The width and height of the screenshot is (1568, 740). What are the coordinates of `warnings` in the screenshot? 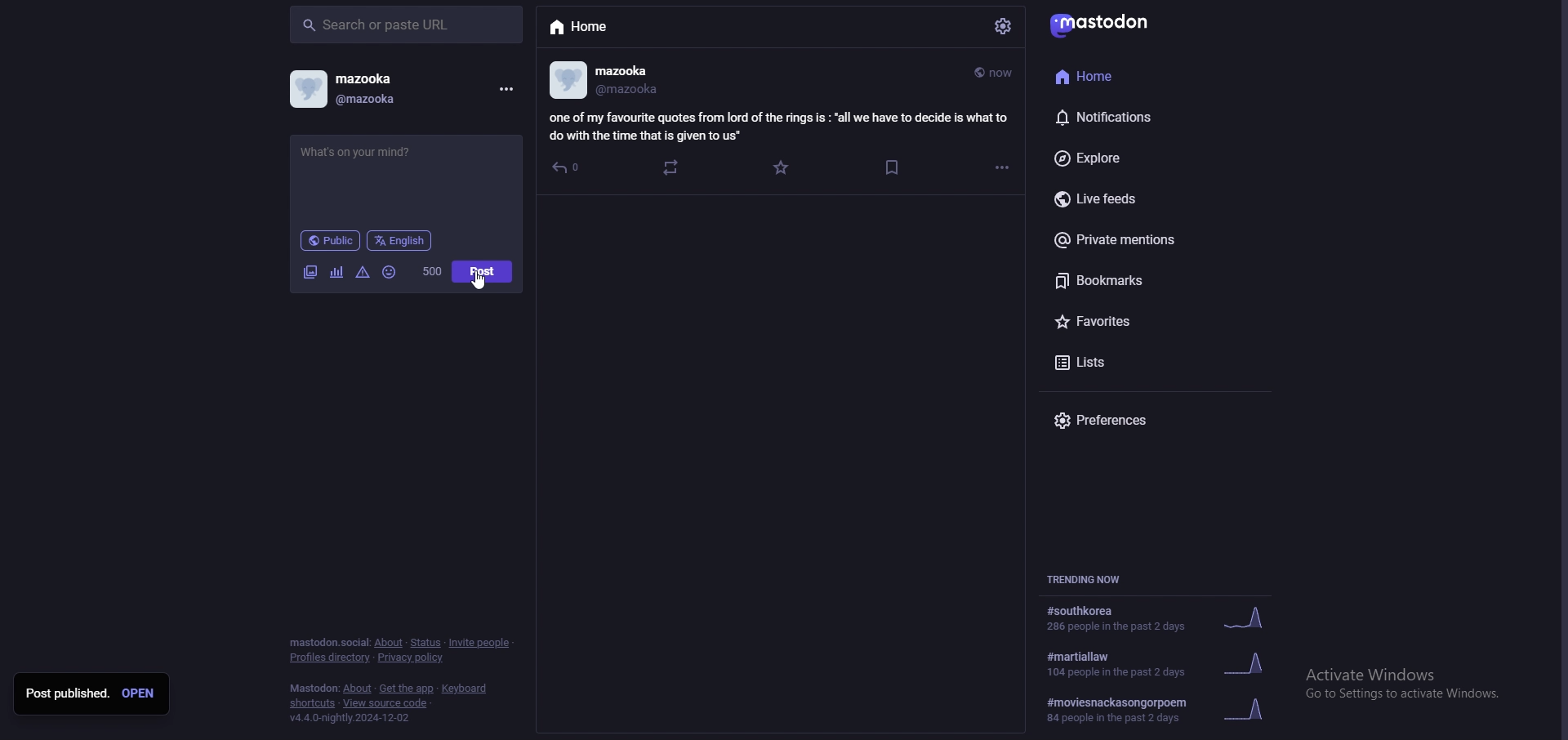 It's located at (363, 273).